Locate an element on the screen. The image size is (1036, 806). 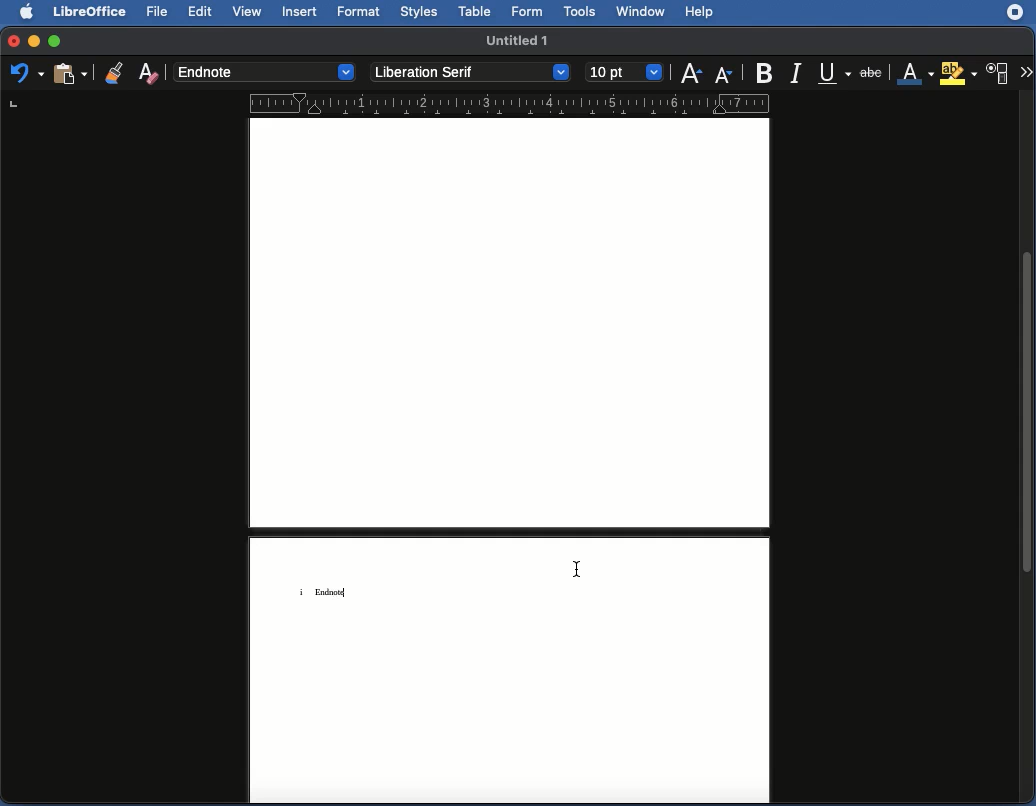
Clone formatting is located at coordinates (115, 70).